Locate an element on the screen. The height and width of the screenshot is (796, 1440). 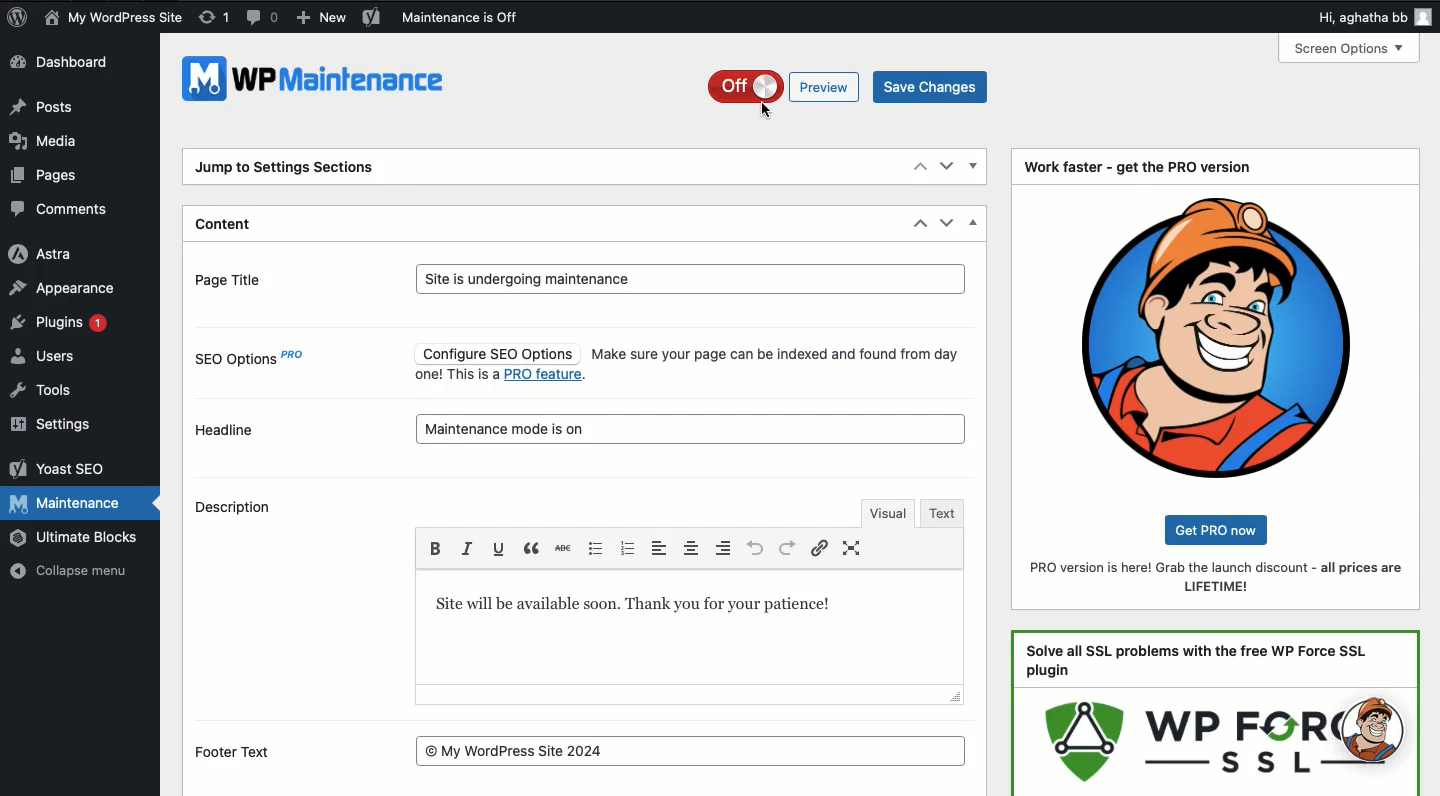
Full screen is located at coordinates (855, 548).